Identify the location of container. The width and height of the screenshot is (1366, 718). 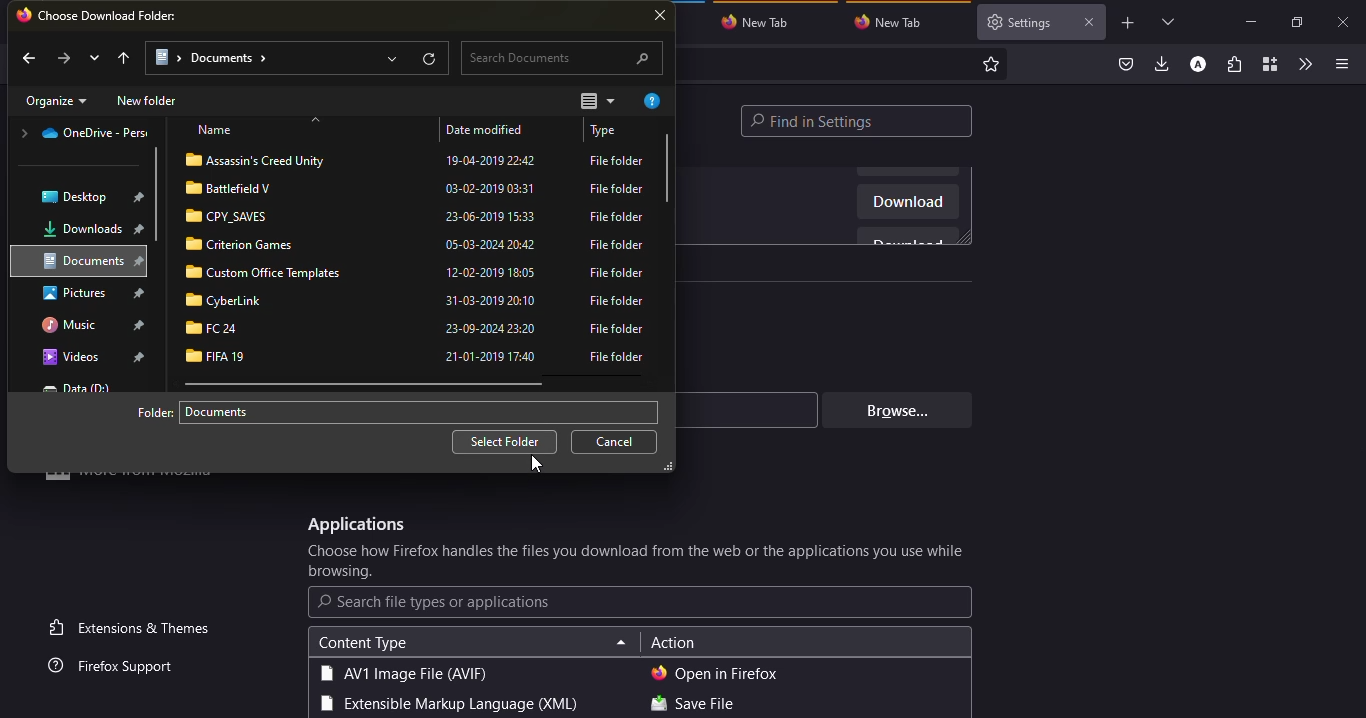
(1268, 65).